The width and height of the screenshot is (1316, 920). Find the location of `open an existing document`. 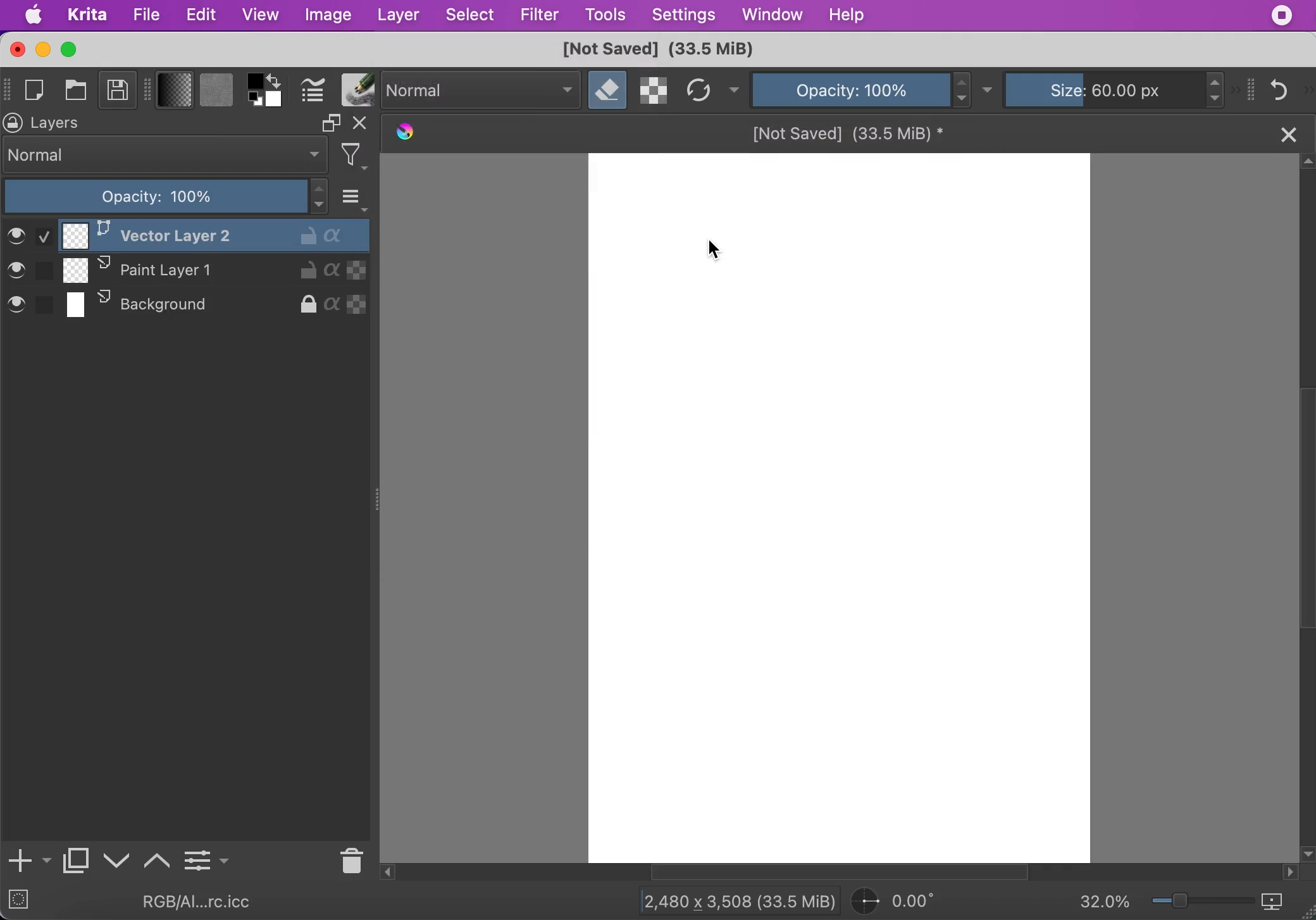

open an existing document is located at coordinates (78, 92).